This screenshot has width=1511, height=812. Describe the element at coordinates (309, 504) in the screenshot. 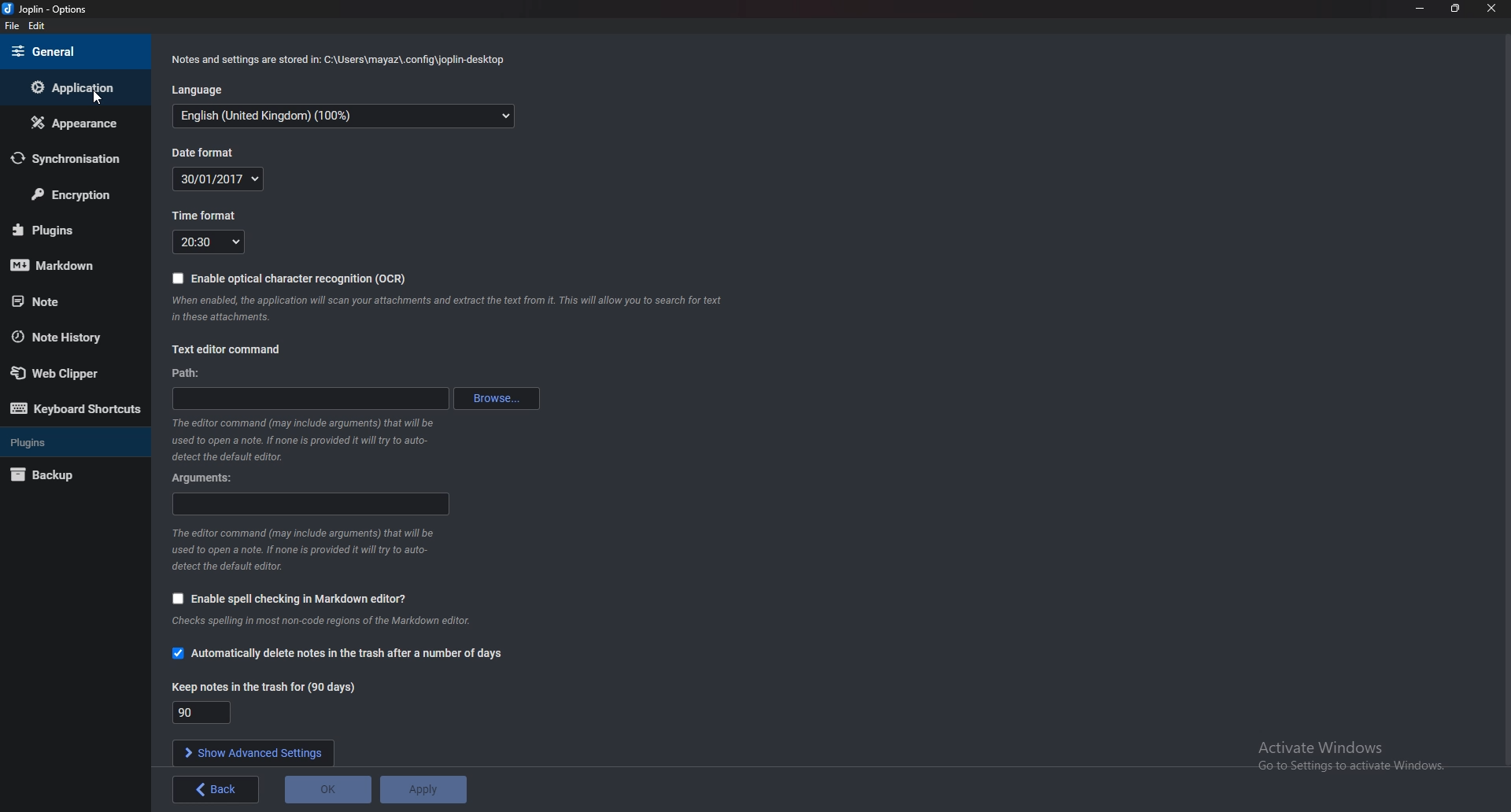

I see `Arguments` at that location.